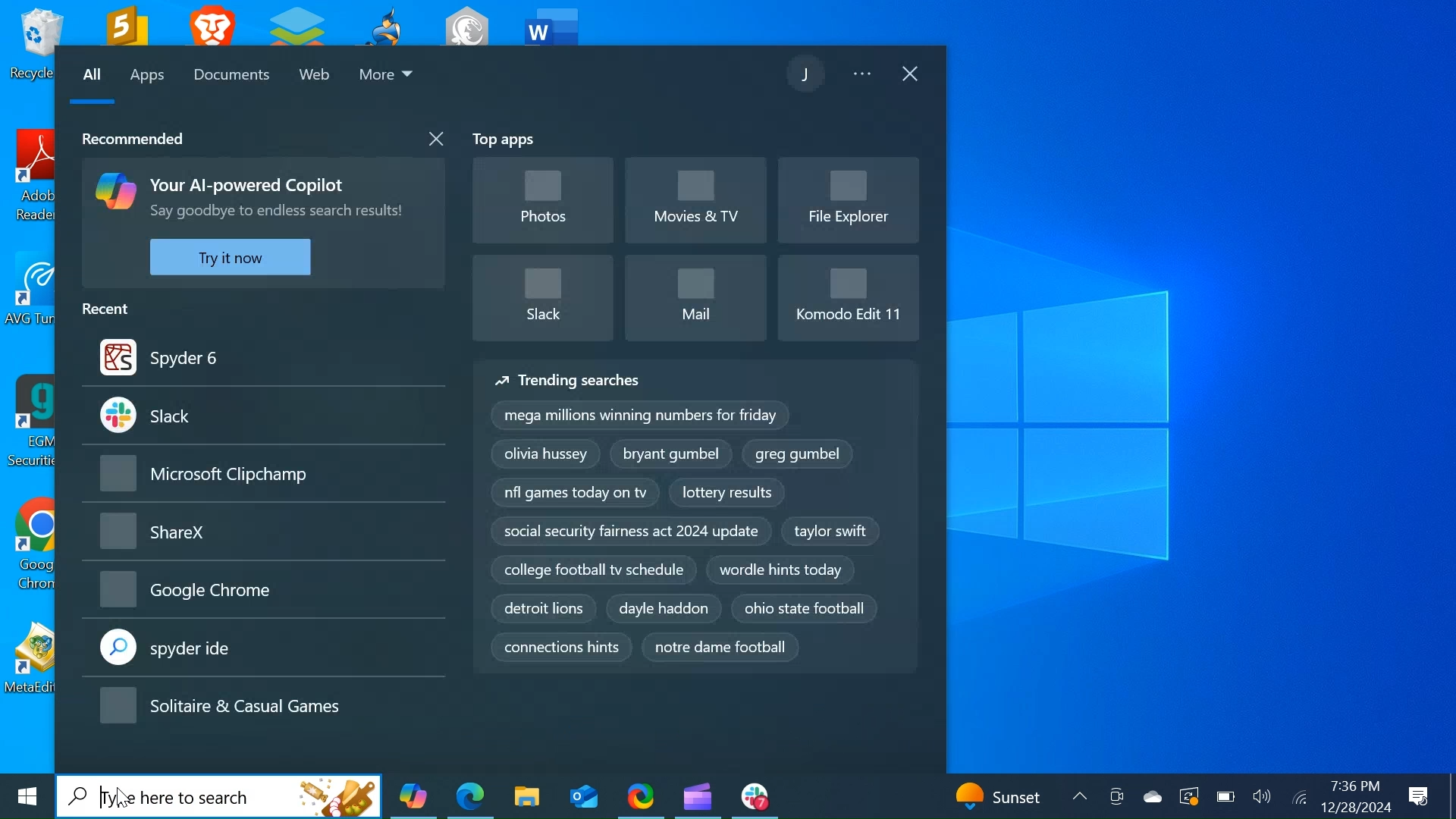 Image resolution: width=1456 pixels, height=819 pixels. What do you see at coordinates (1262, 799) in the screenshot?
I see `Speaker` at bounding box center [1262, 799].